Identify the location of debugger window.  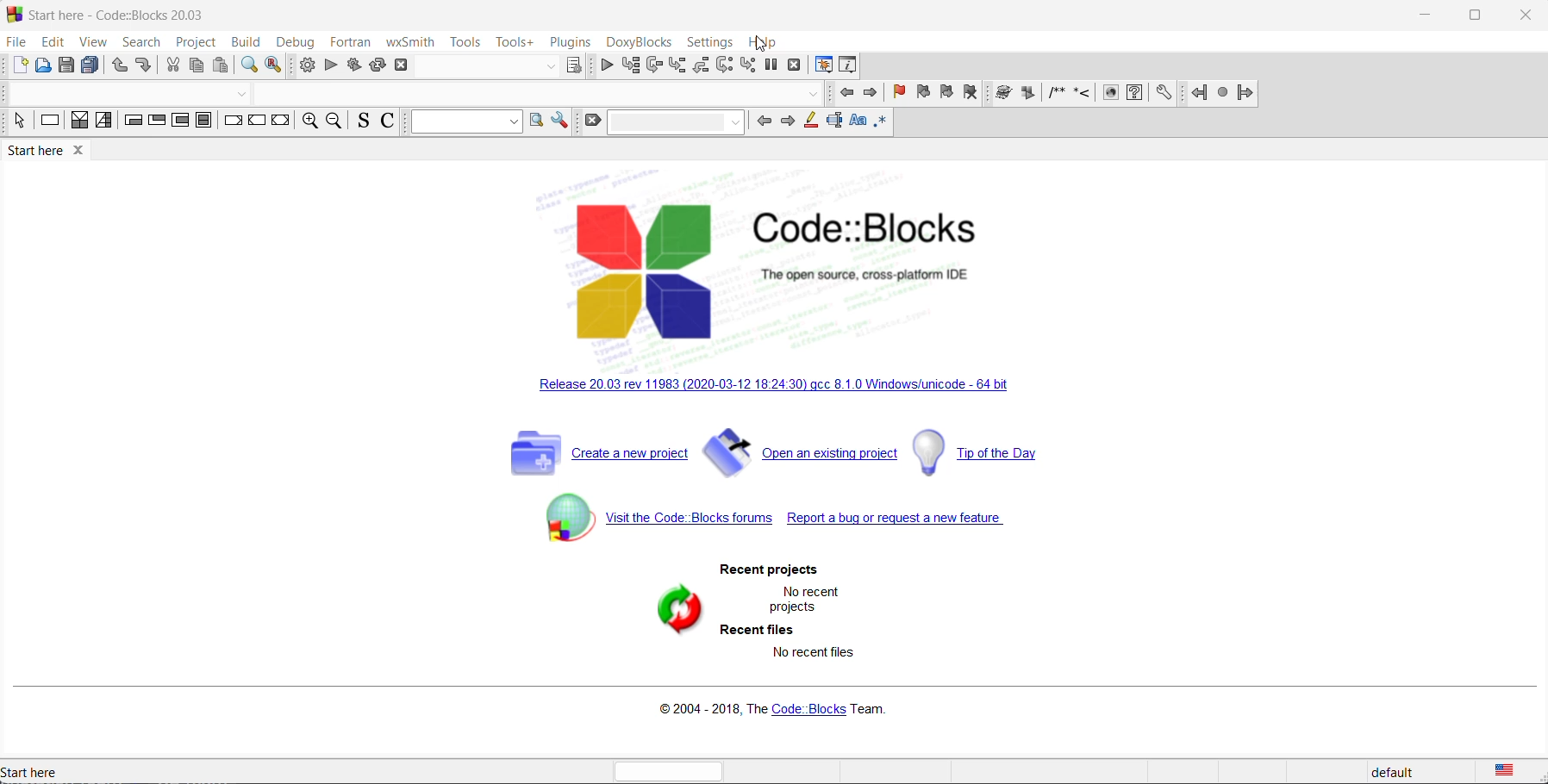
(822, 65).